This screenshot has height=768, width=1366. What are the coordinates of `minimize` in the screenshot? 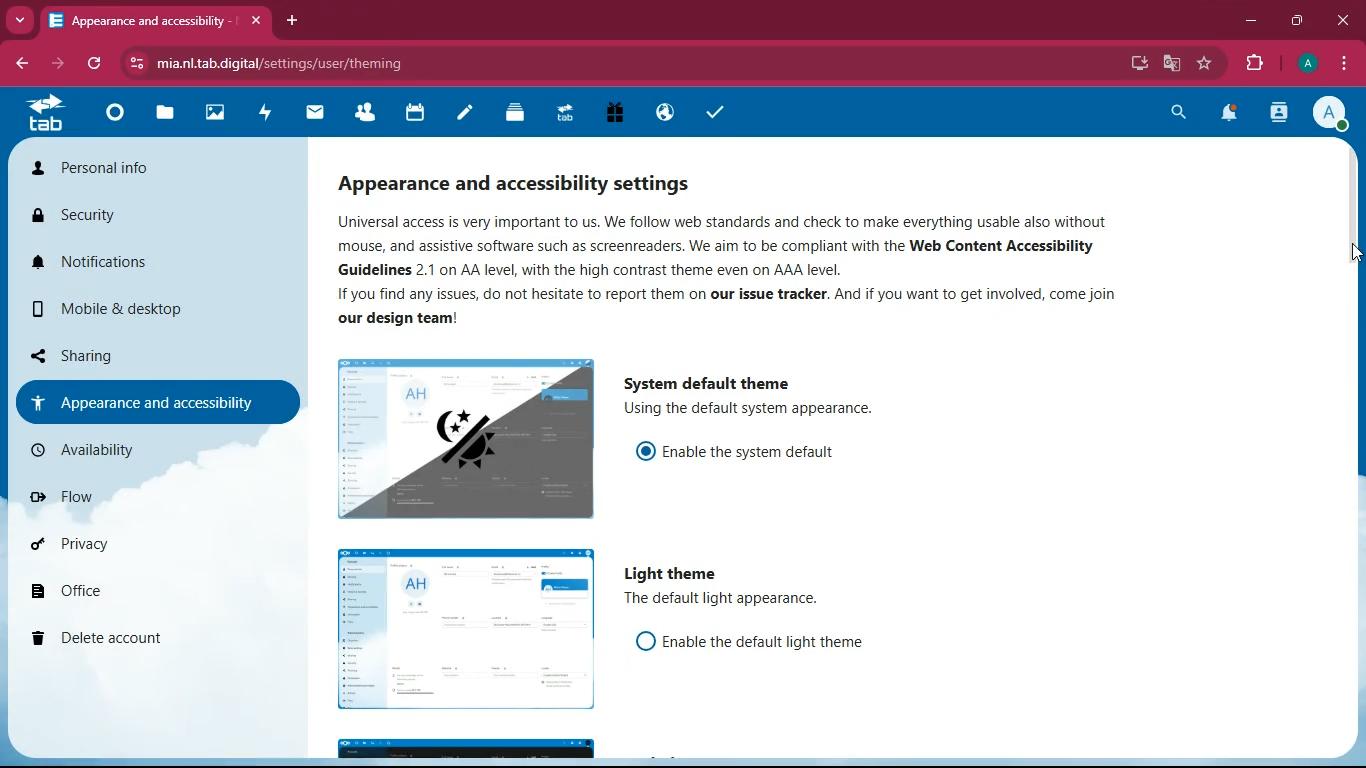 It's located at (1246, 21).